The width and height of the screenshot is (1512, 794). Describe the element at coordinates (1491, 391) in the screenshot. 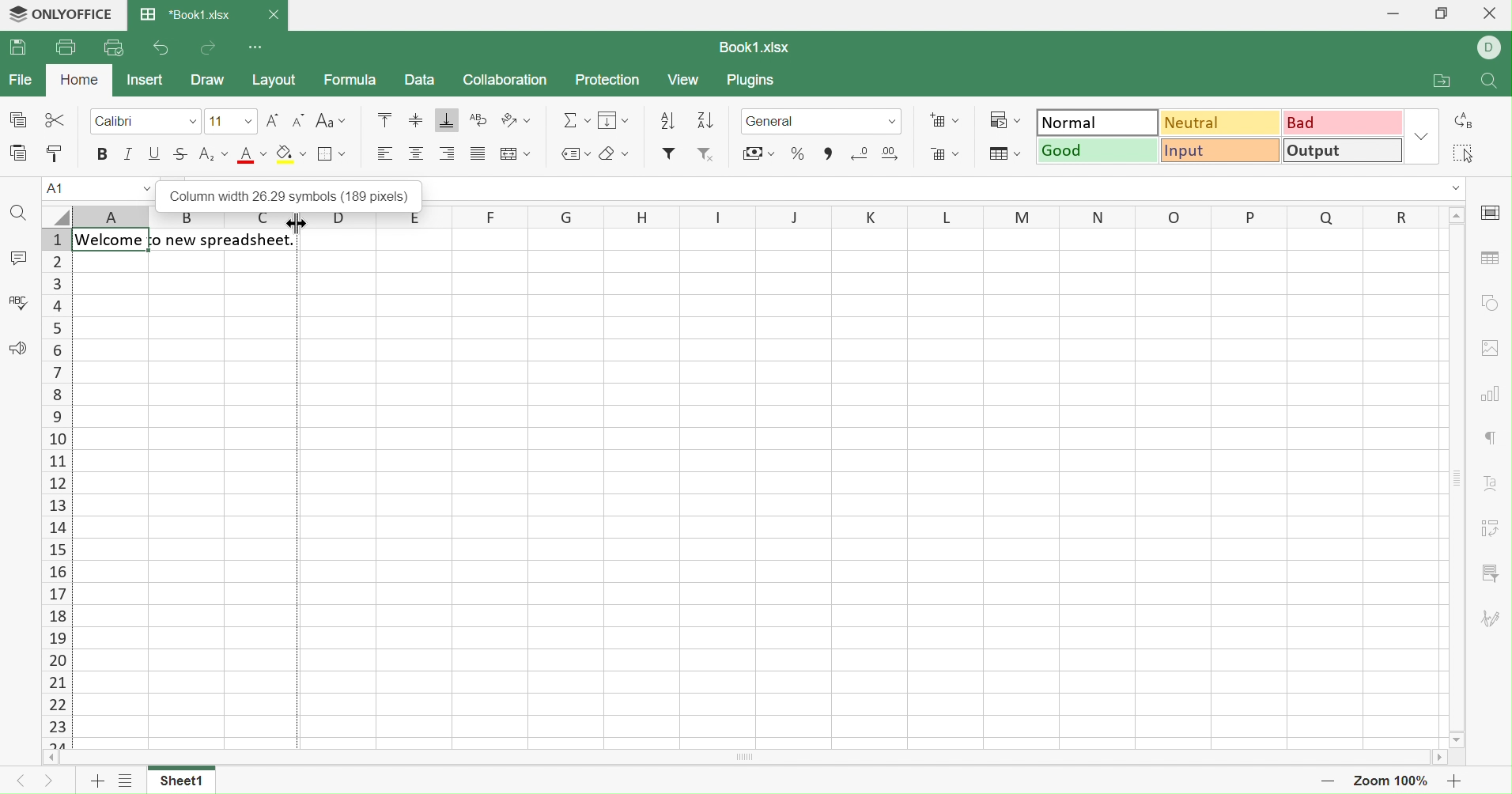

I see `chart settings` at that location.